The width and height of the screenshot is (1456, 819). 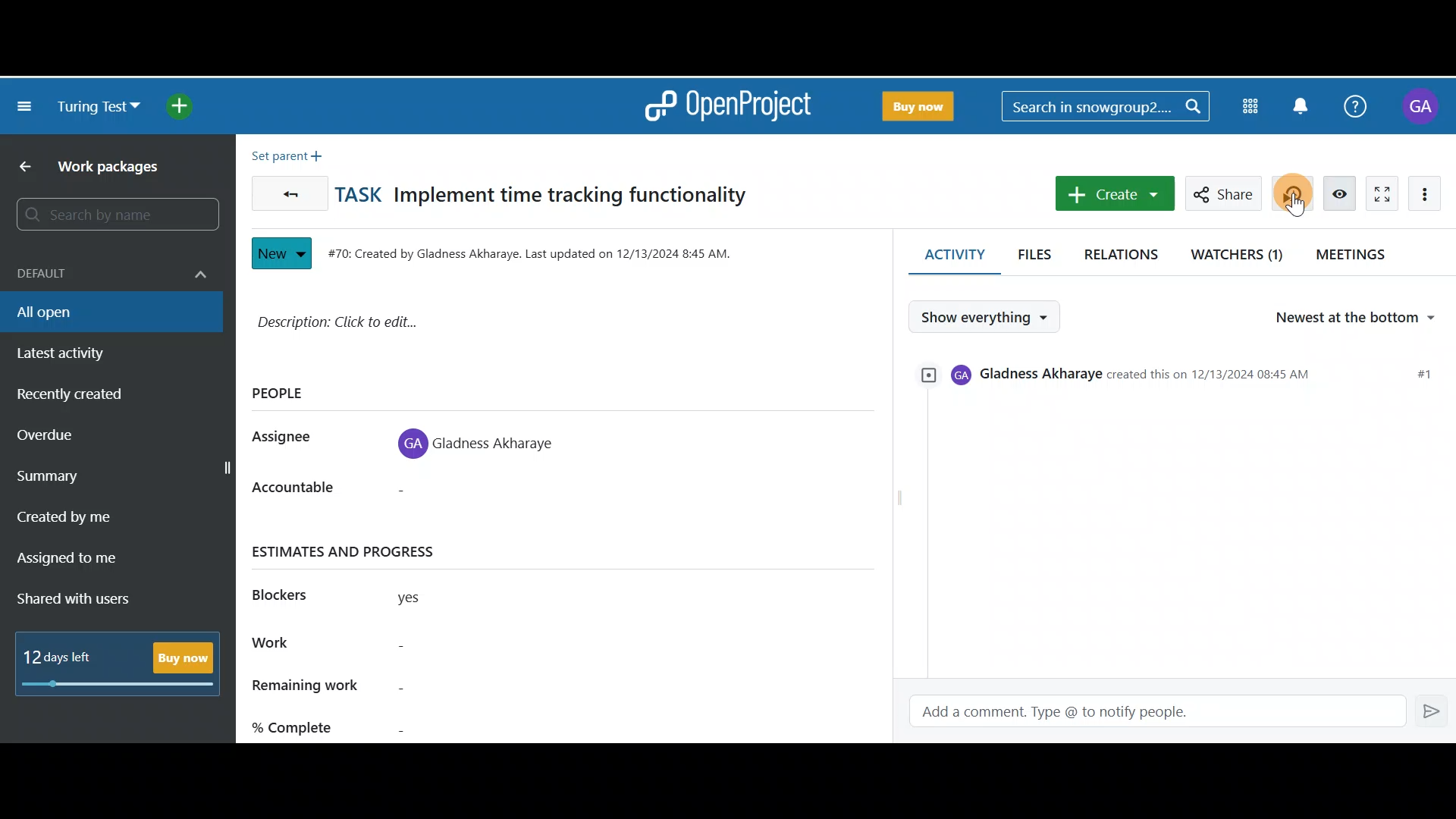 What do you see at coordinates (290, 438) in the screenshot?
I see `Assignee` at bounding box center [290, 438].